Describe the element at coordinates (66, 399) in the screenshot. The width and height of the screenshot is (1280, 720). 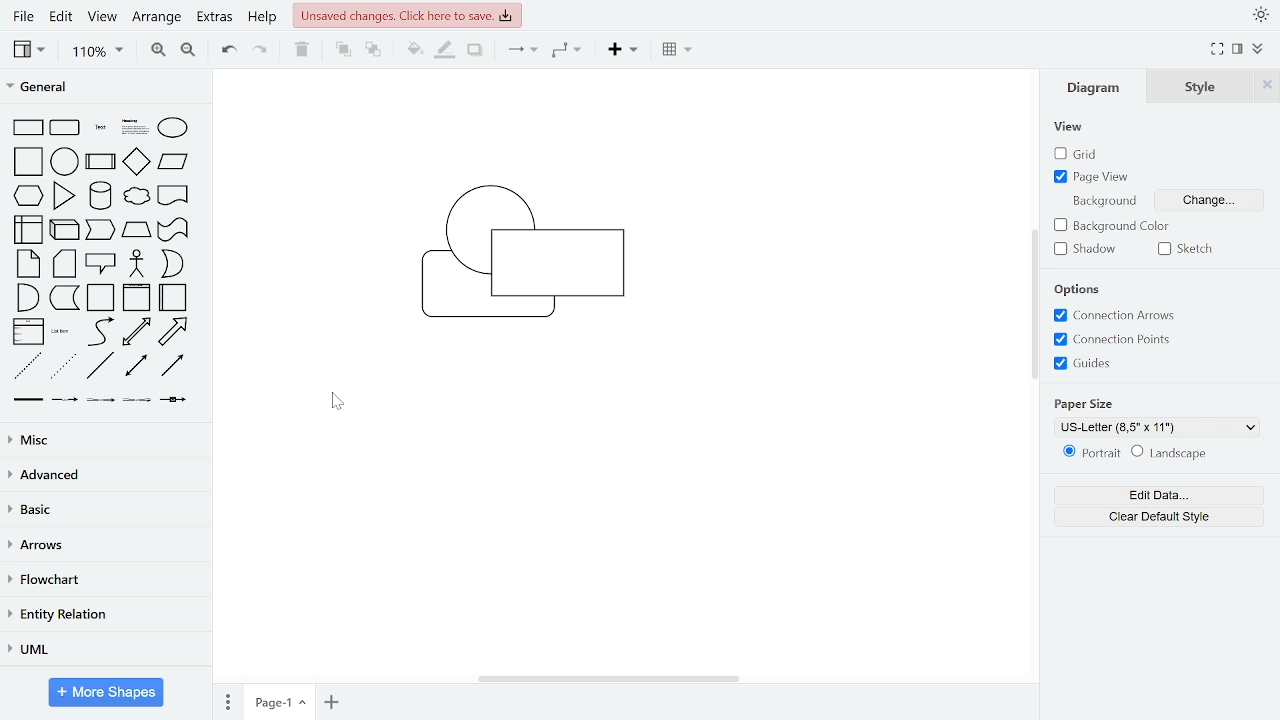
I see `connector with label` at that location.